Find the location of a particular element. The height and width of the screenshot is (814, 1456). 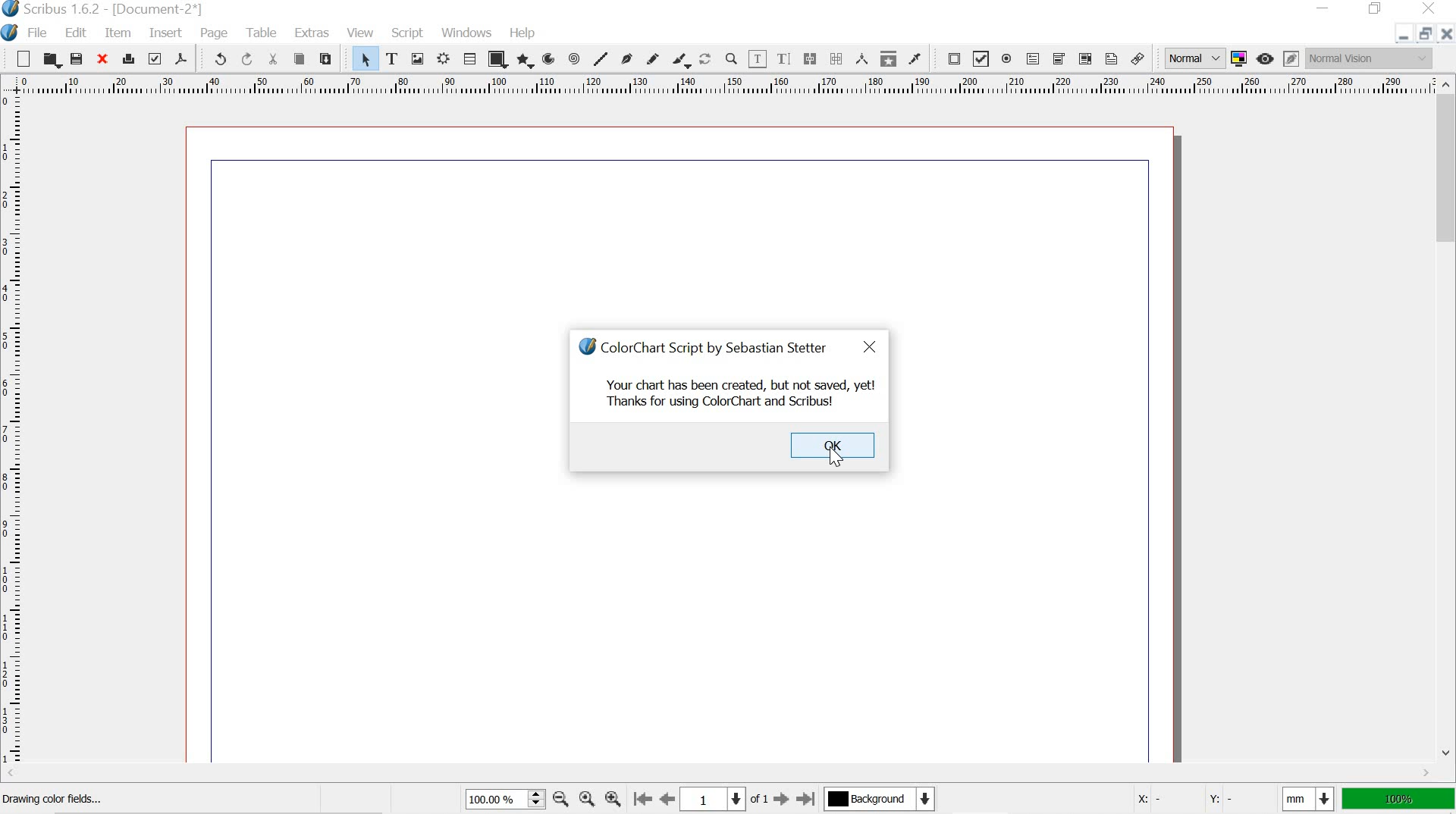

zoom in or out is located at coordinates (732, 59).